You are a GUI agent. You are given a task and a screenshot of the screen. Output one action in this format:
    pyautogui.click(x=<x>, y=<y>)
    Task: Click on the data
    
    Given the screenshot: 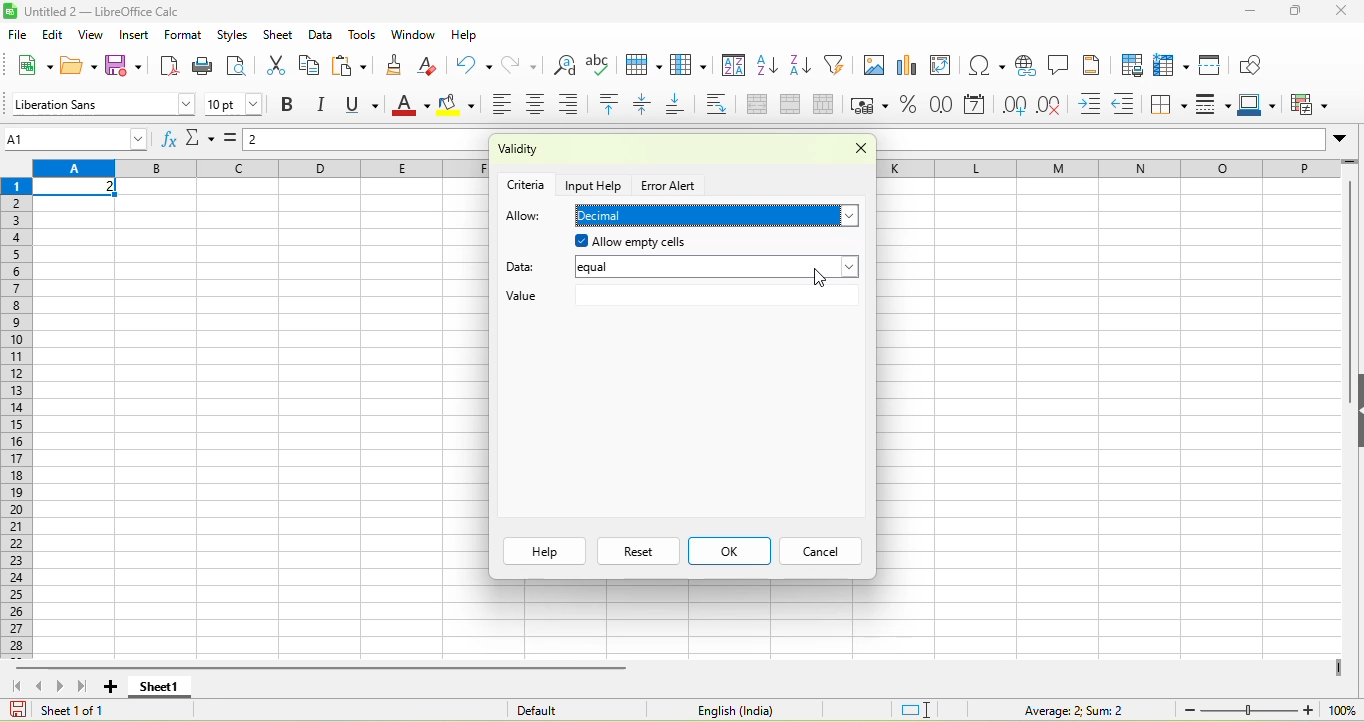 What is the action you would take?
    pyautogui.click(x=321, y=34)
    